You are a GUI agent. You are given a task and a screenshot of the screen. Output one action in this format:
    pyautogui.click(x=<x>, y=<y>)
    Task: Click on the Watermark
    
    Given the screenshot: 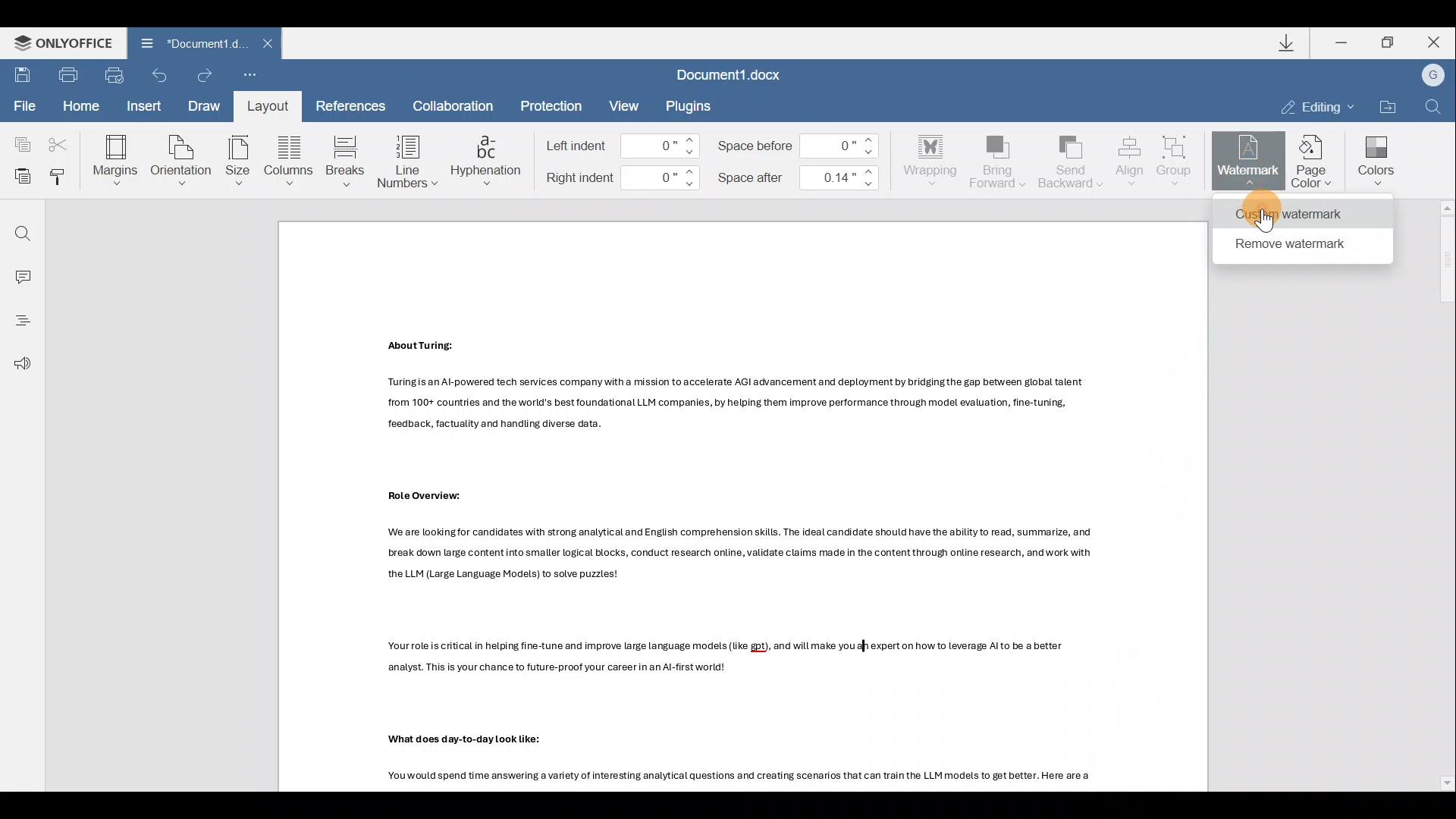 What is the action you would take?
    pyautogui.click(x=1250, y=158)
    